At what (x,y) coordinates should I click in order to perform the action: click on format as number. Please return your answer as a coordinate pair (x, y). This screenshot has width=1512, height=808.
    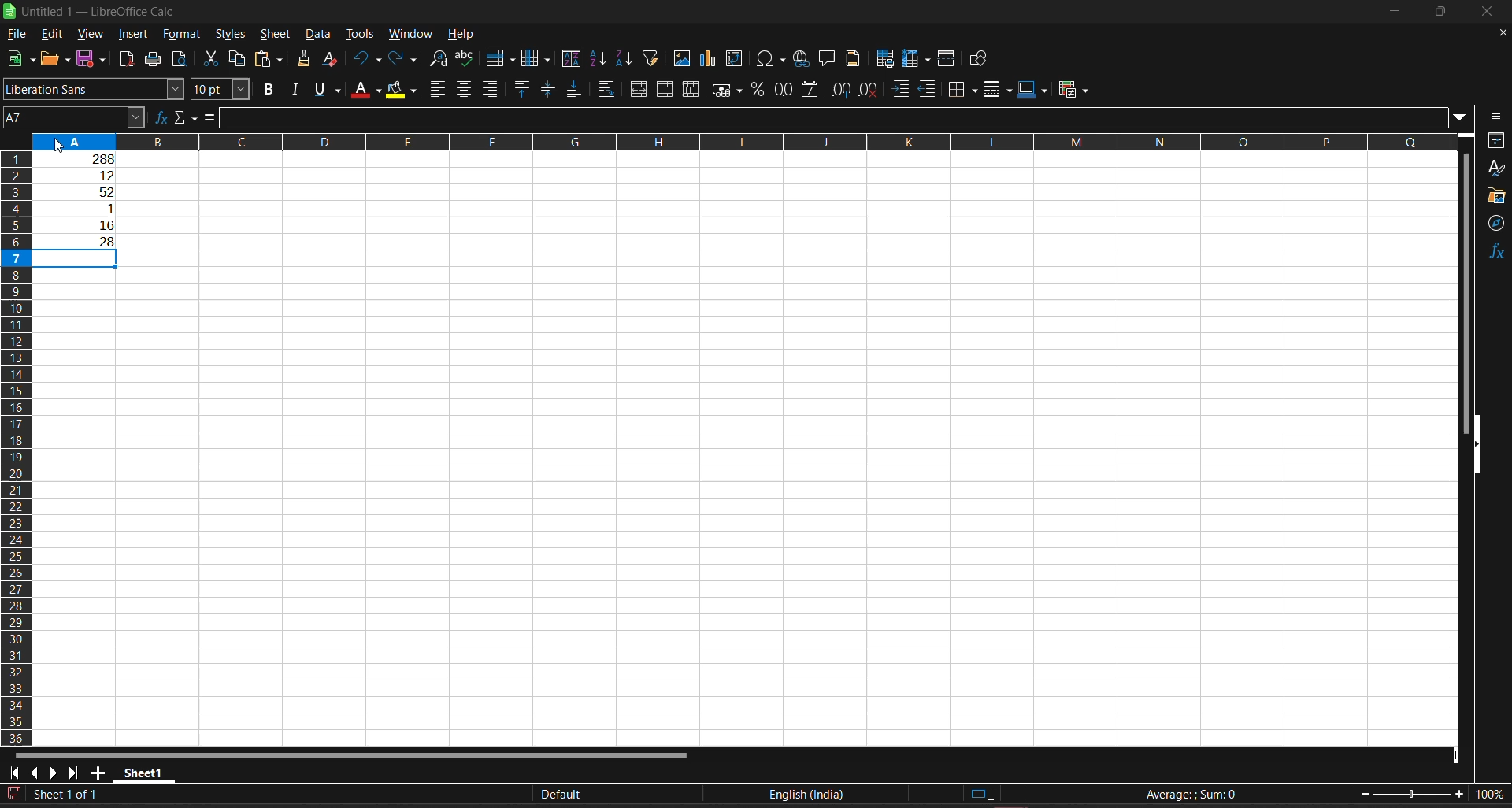
    Looking at the image, I should click on (784, 90).